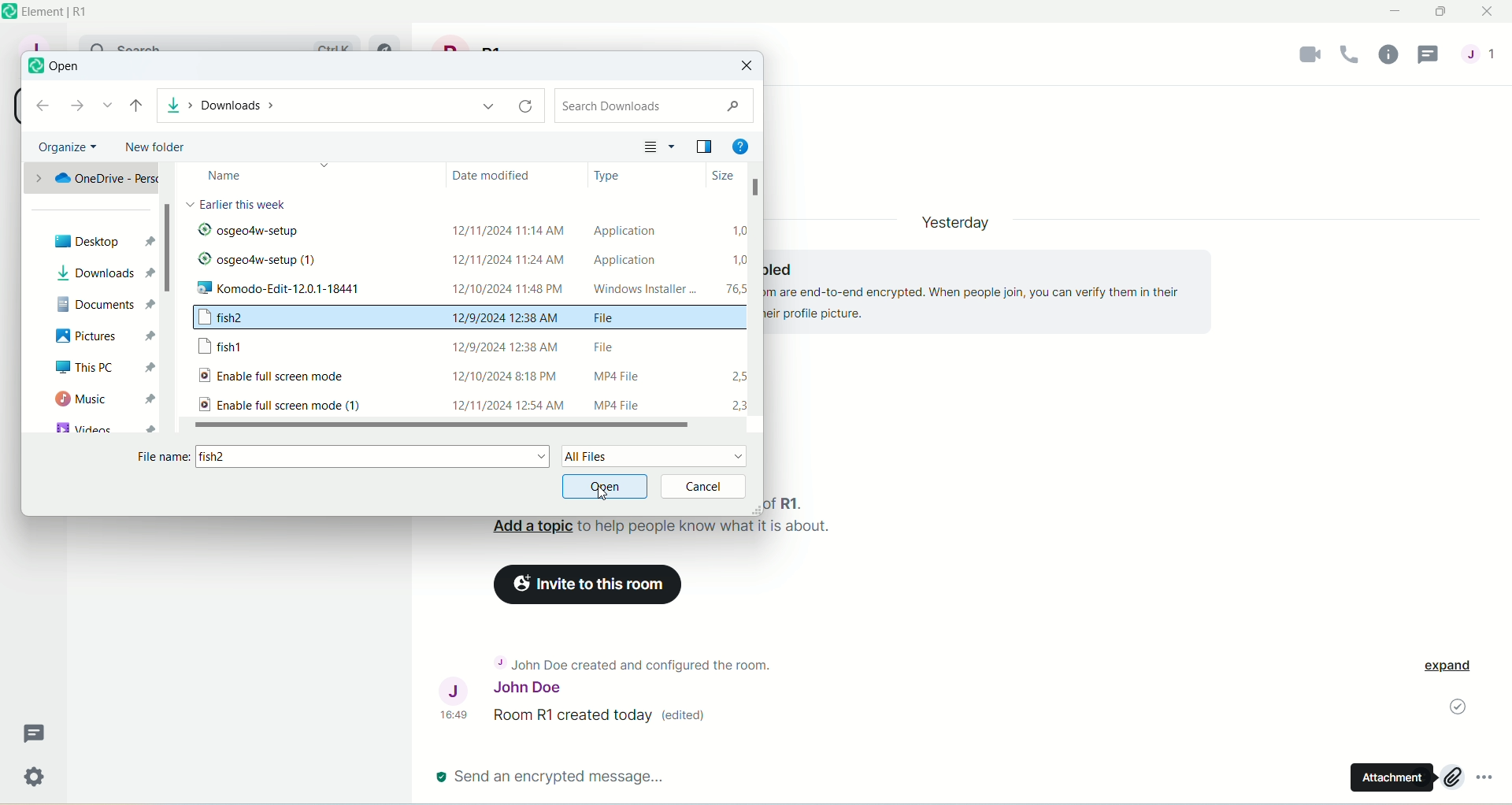  Describe the element at coordinates (289, 376) in the screenshot. I see `| Enable full screen mode` at that location.